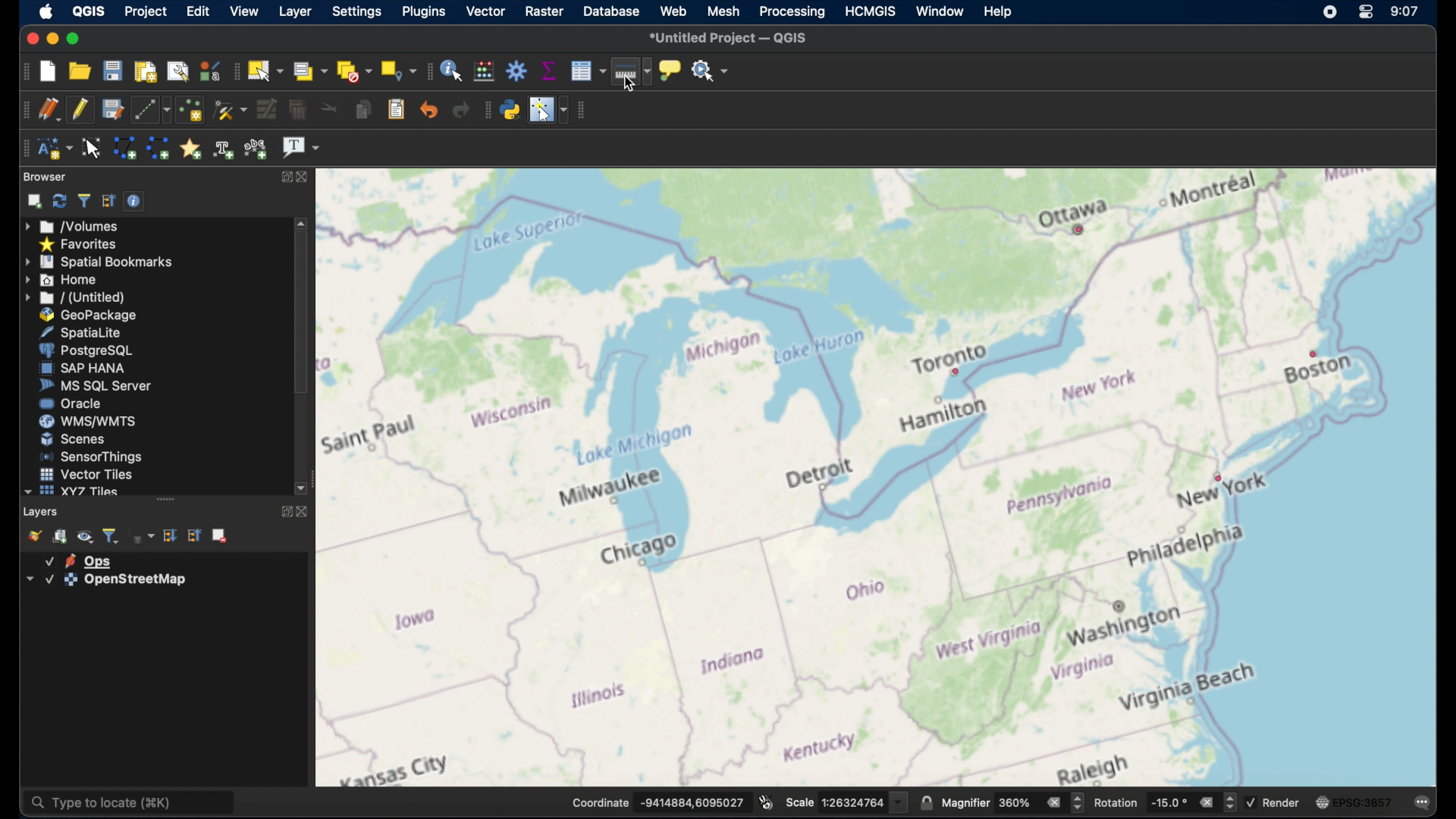  I want to click on delete selected, so click(297, 110).